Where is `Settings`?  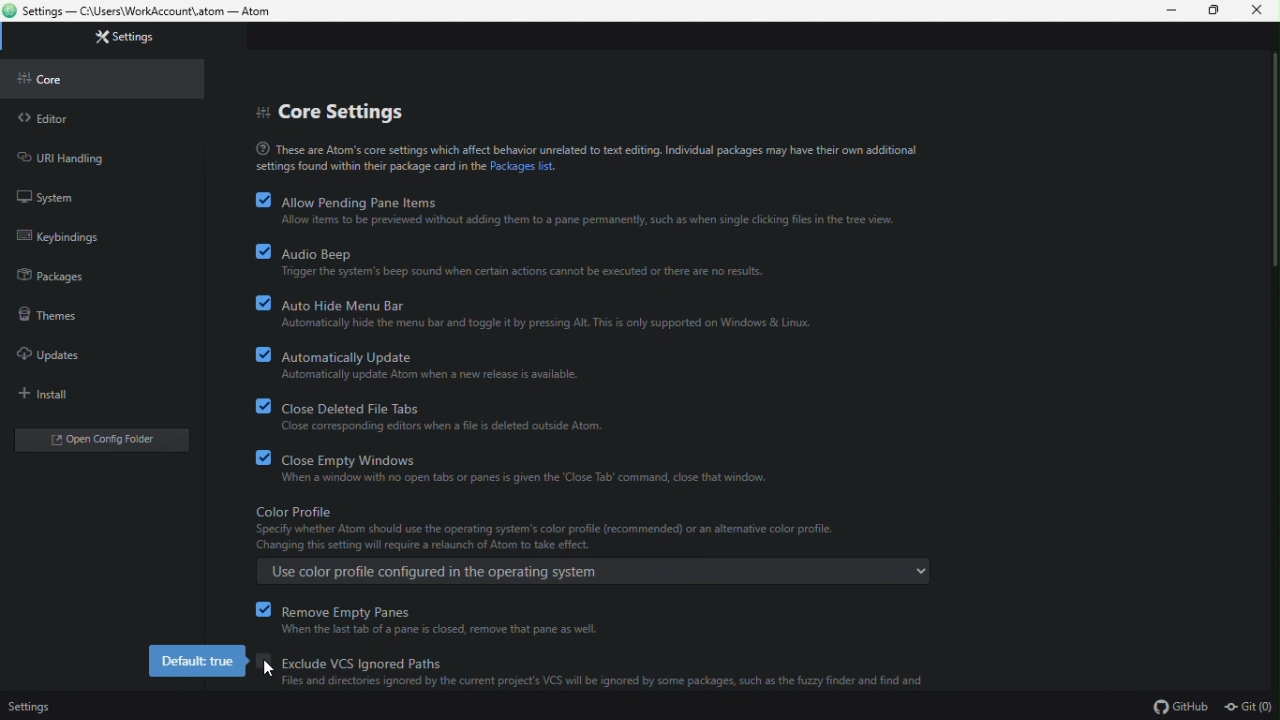
Settings is located at coordinates (28, 708).